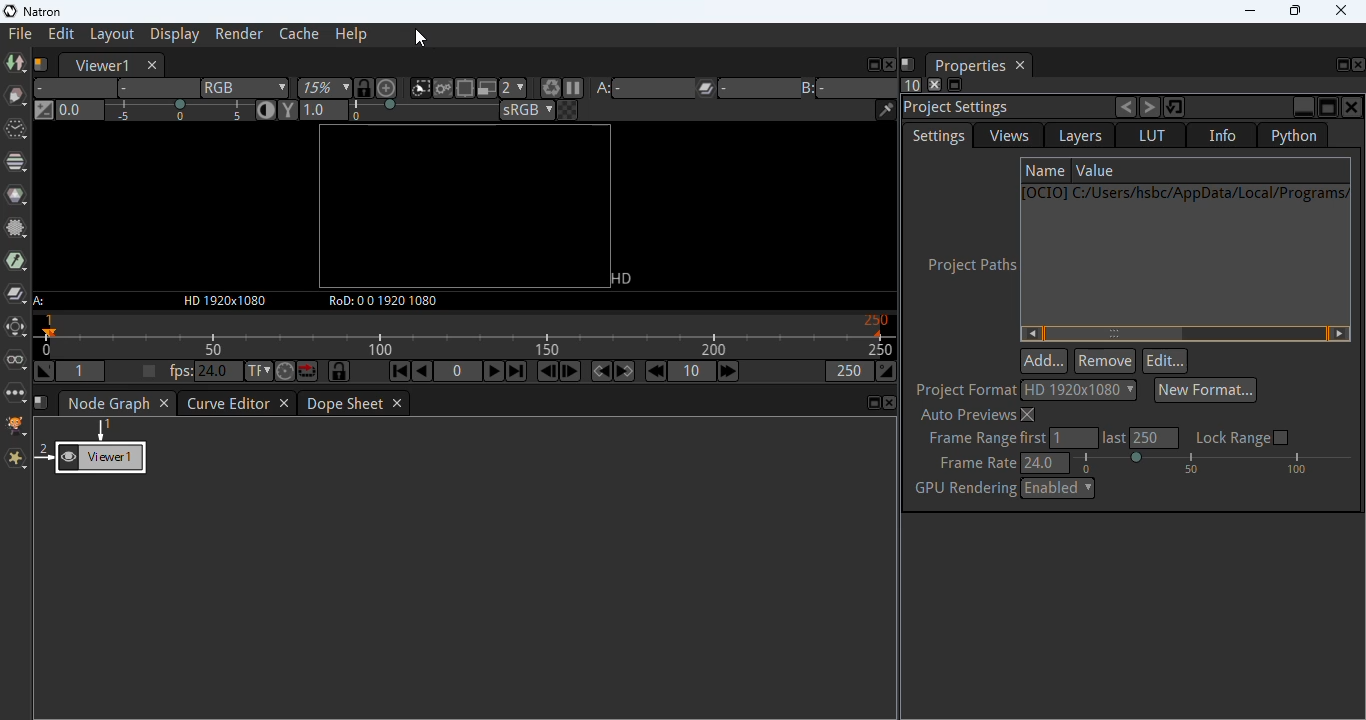  I want to click on turbo mode, so click(284, 371).